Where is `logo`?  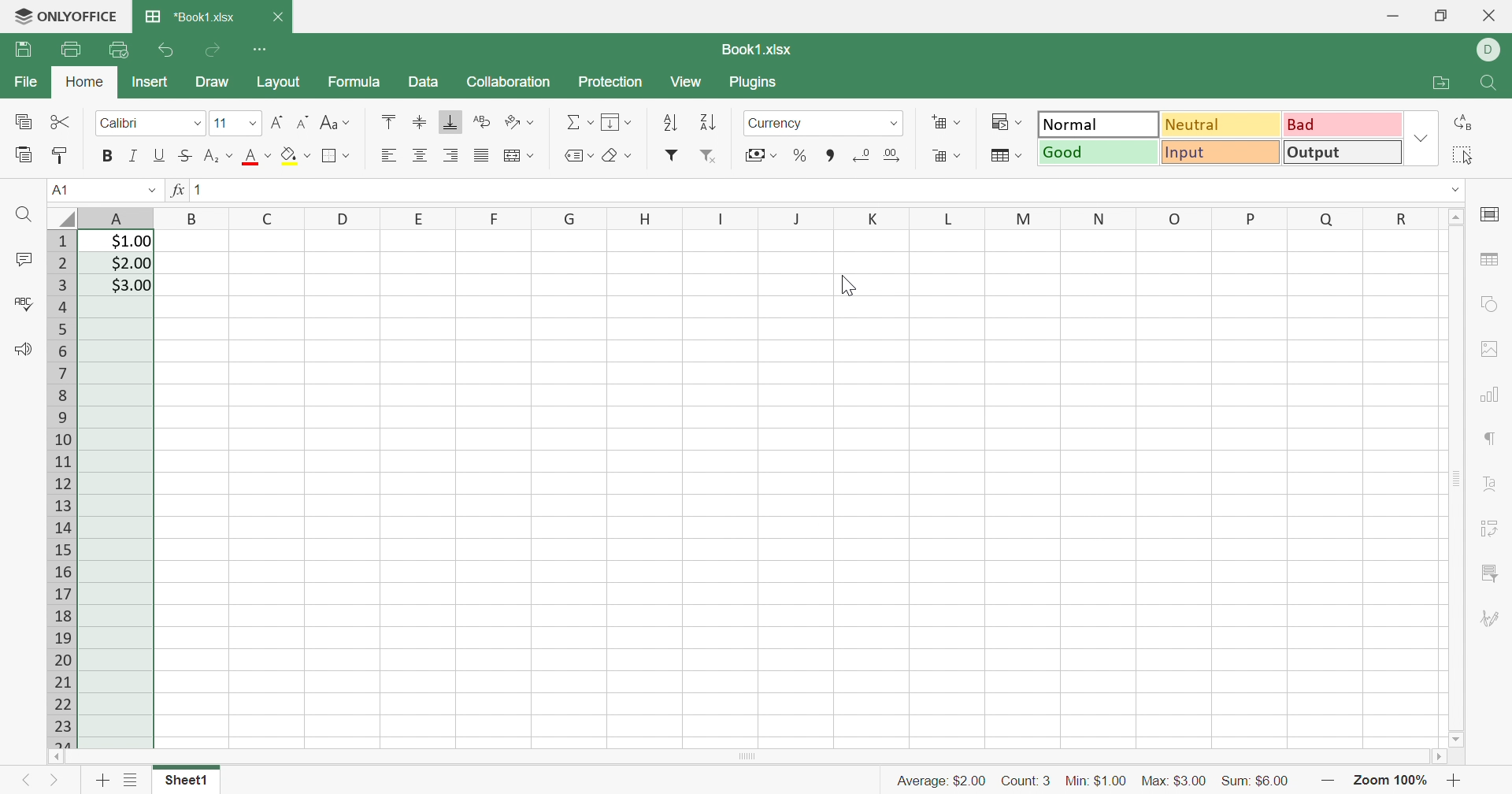
logo is located at coordinates (18, 17).